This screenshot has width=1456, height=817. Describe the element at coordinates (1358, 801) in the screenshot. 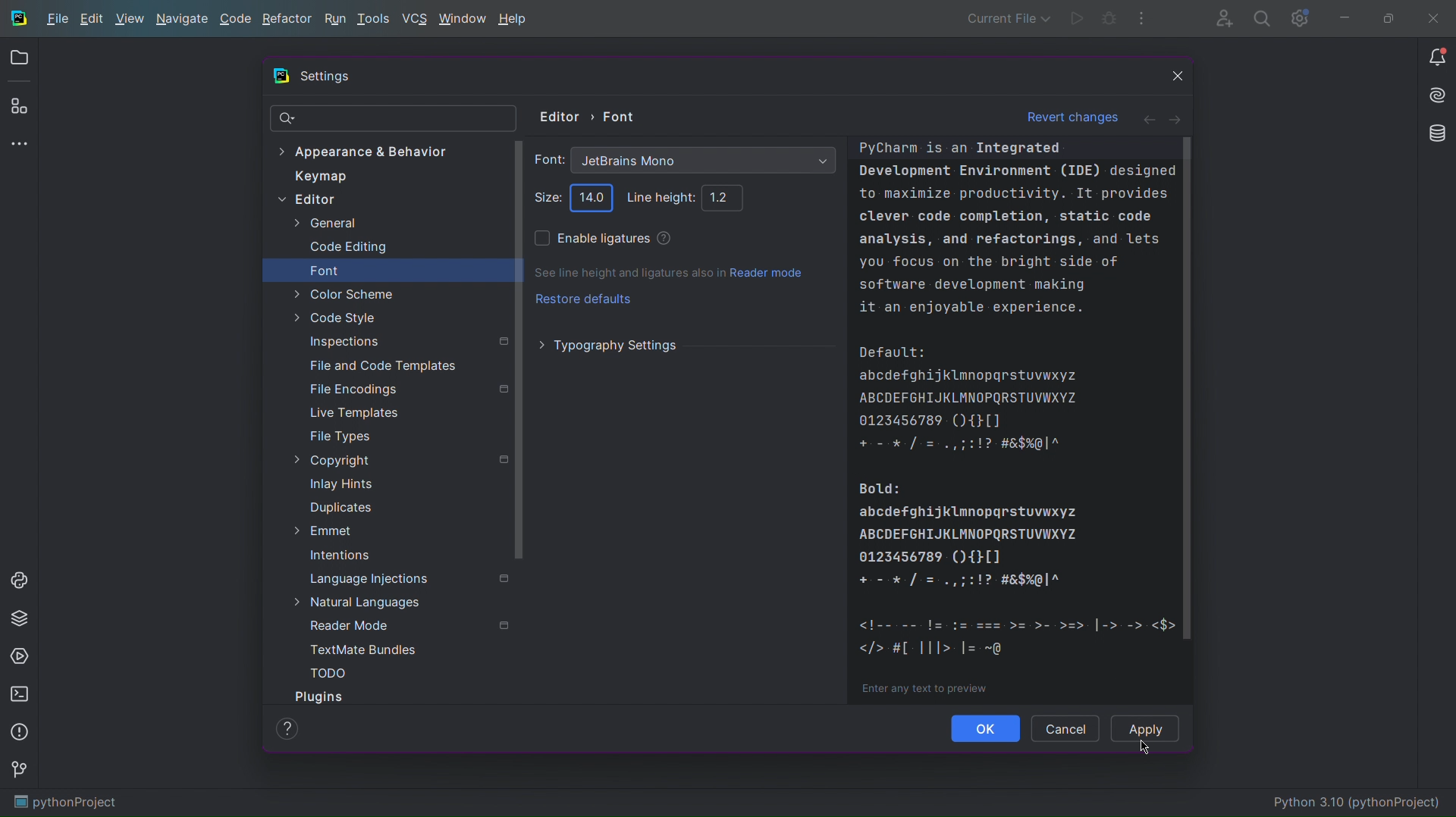

I see `Python 3.10 (pythonProject)` at that location.